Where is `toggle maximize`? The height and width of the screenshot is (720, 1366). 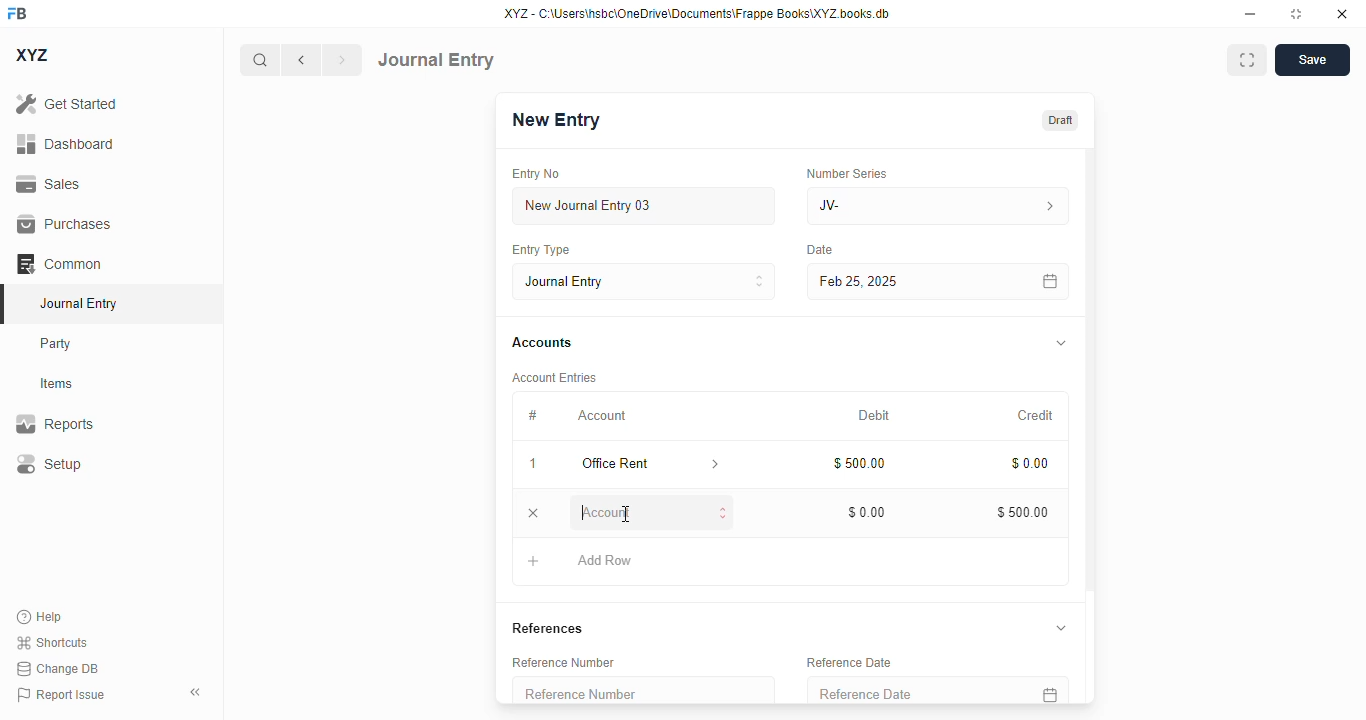
toggle maximize is located at coordinates (1295, 14).